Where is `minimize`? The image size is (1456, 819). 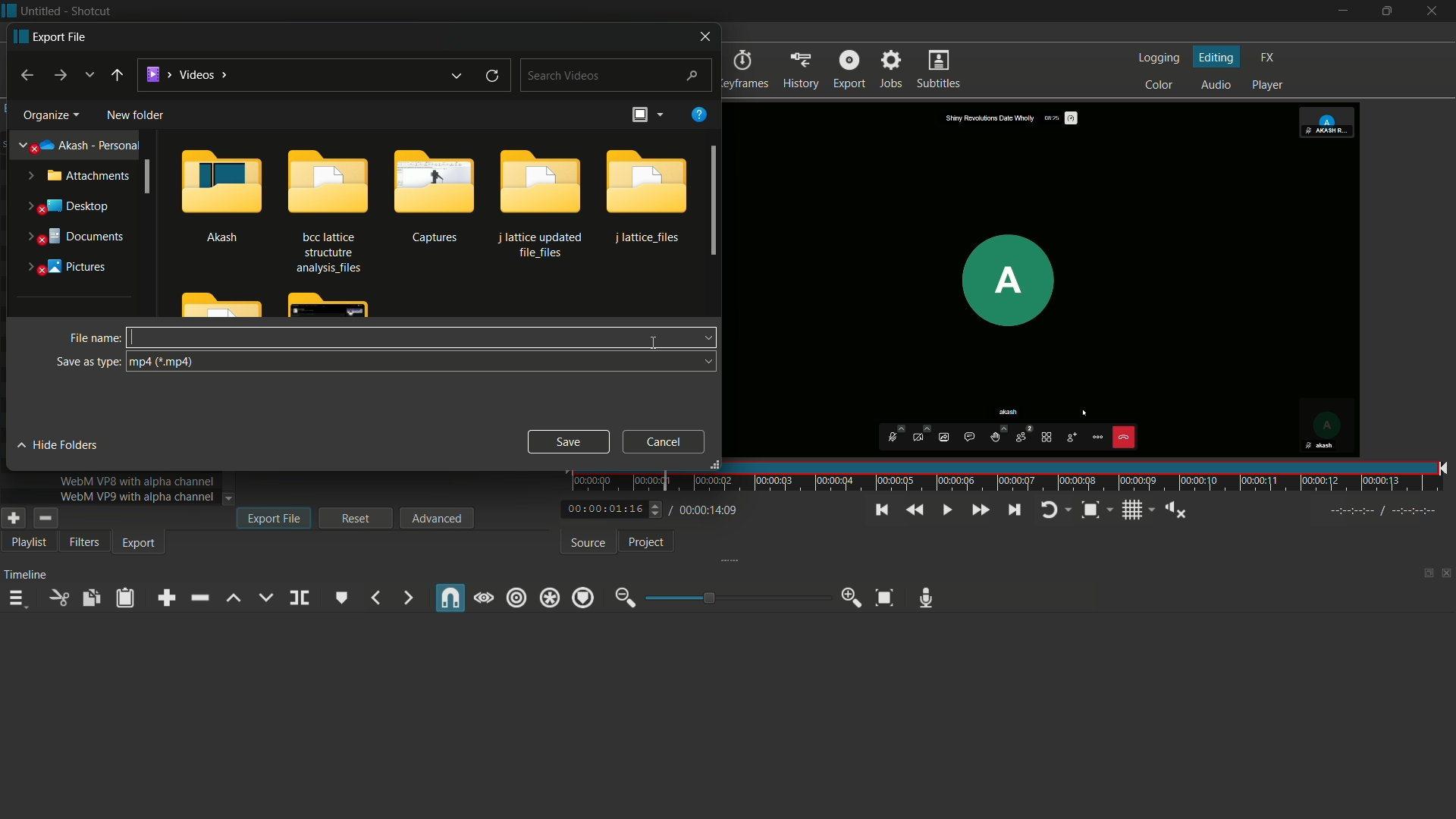
minimize is located at coordinates (1340, 11).